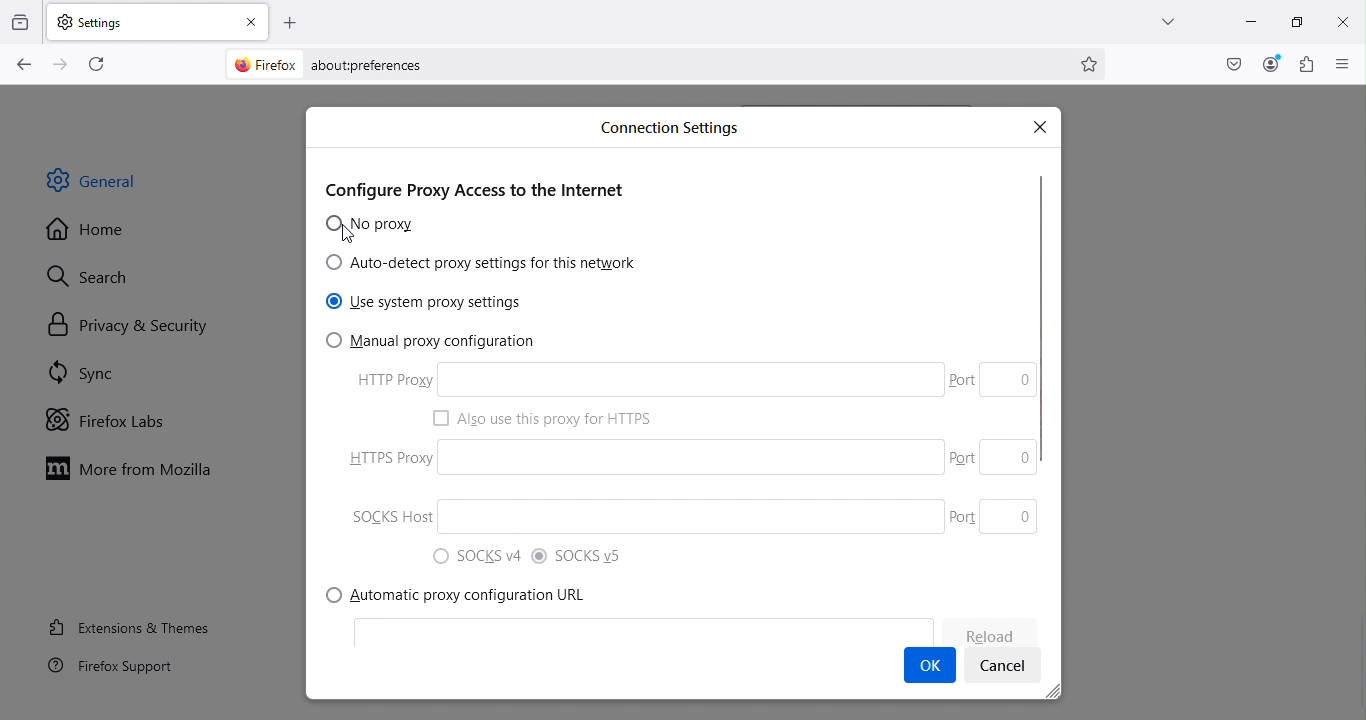  Describe the element at coordinates (465, 595) in the screenshot. I see `Automatic proxy configuration URL` at that location.